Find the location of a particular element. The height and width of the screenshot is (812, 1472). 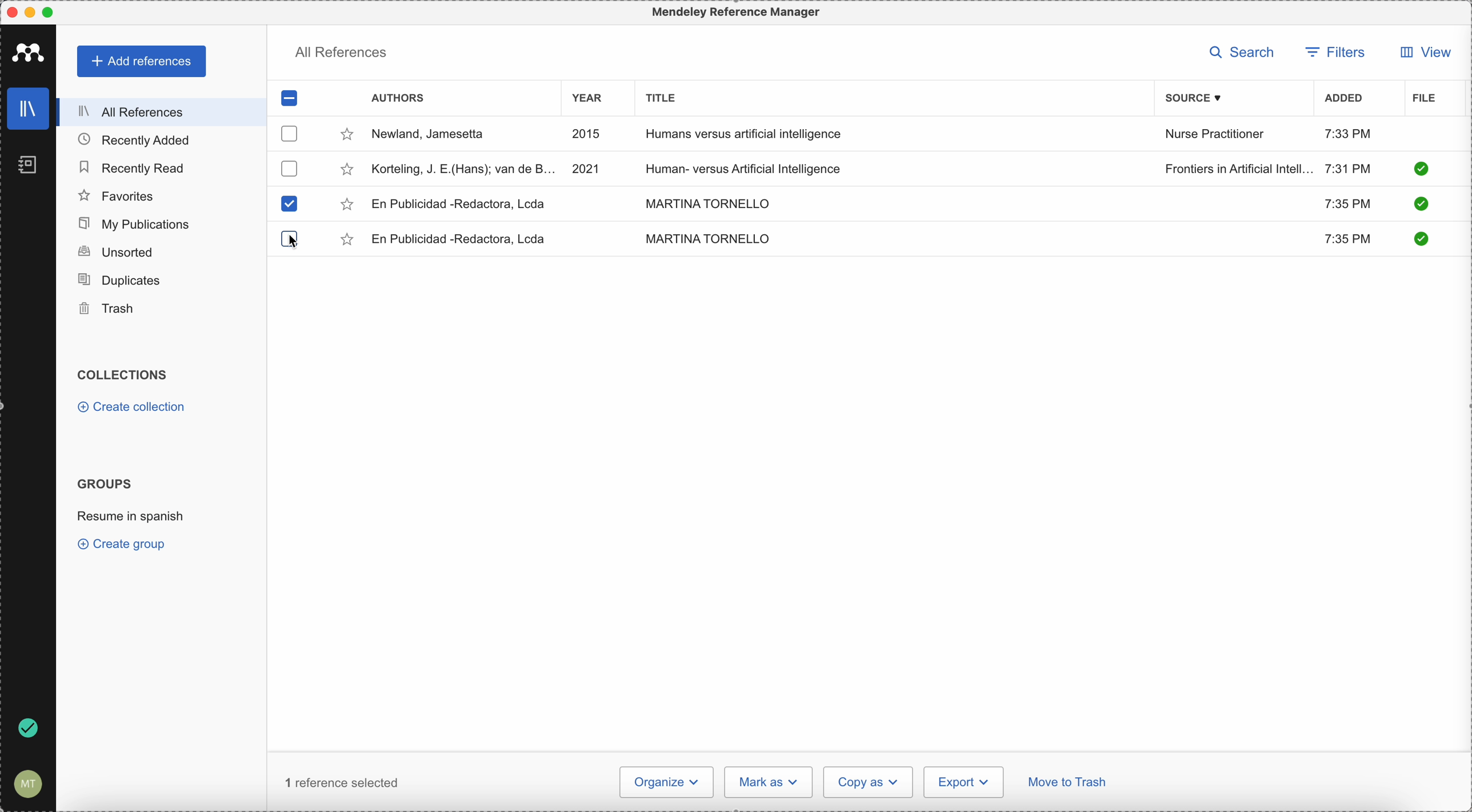

recently added is located at coordinates (143, 139).